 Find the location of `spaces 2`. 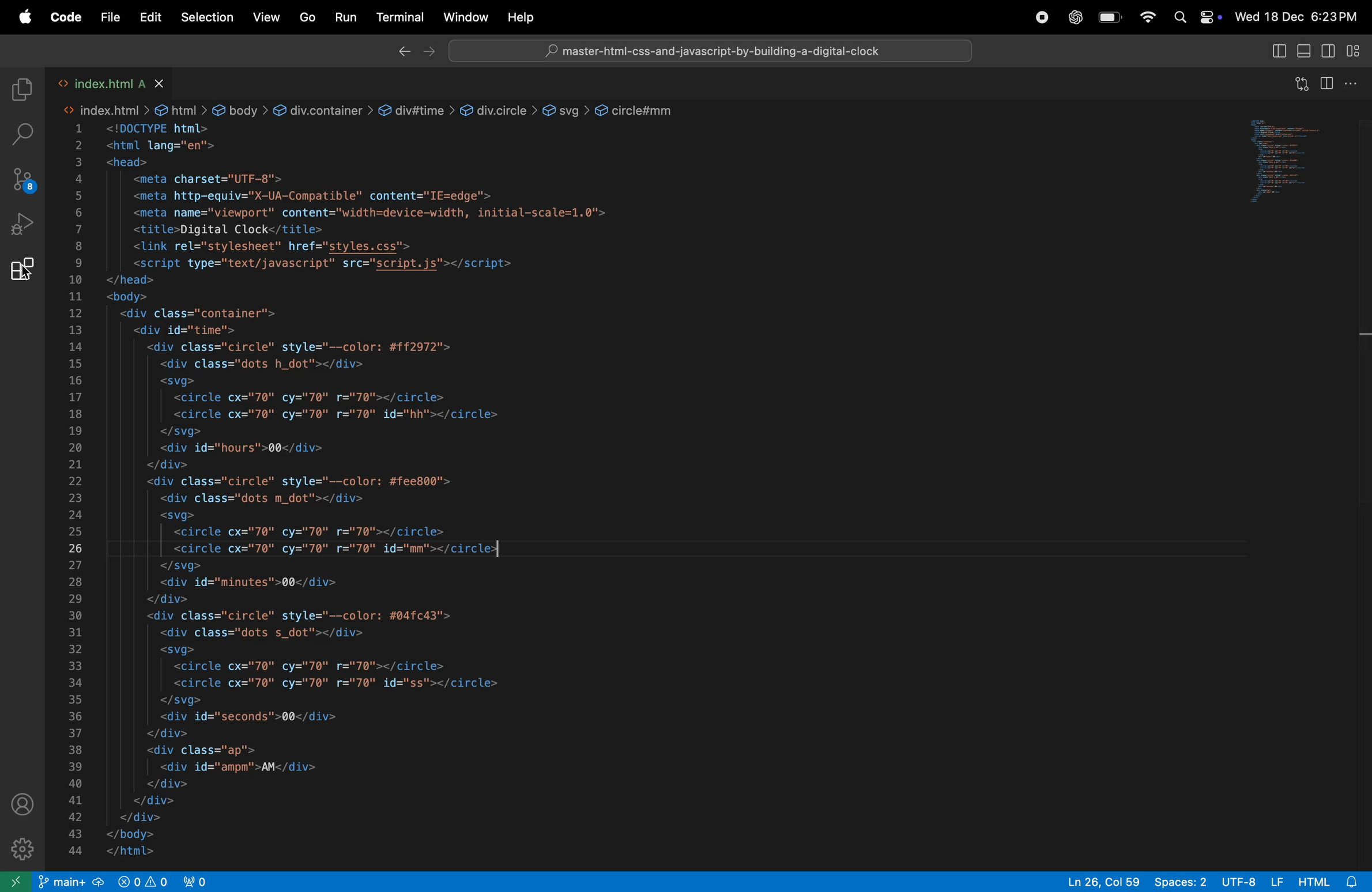

spaces 2 is located at coordinates (1178, 881).